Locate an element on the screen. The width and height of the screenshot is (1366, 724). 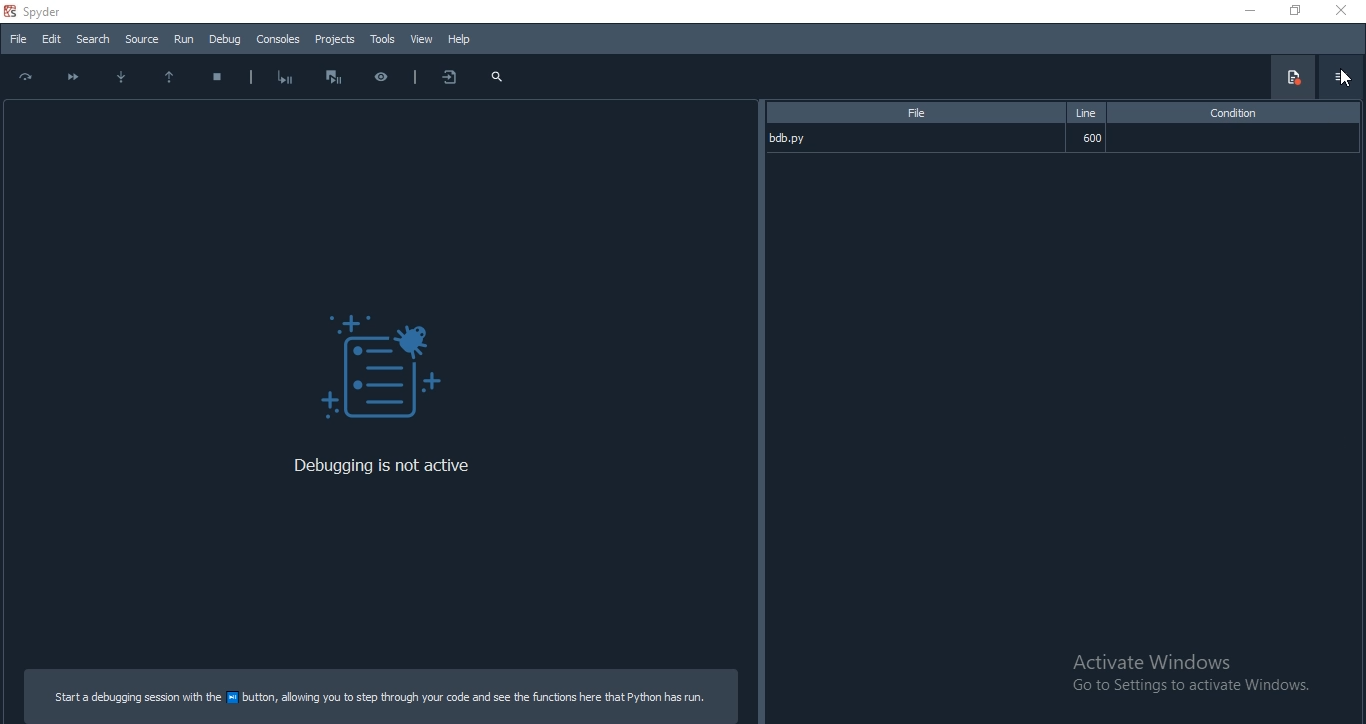
File is located at coordinates (914, 113).